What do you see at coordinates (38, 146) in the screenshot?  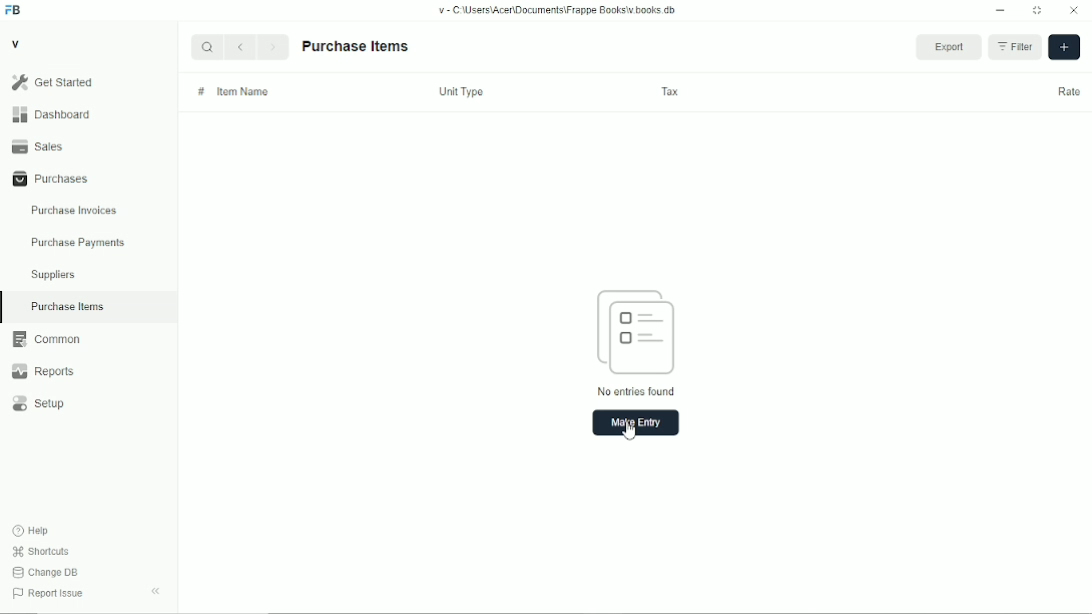 I see `sales` at bounding box center [38, 146].